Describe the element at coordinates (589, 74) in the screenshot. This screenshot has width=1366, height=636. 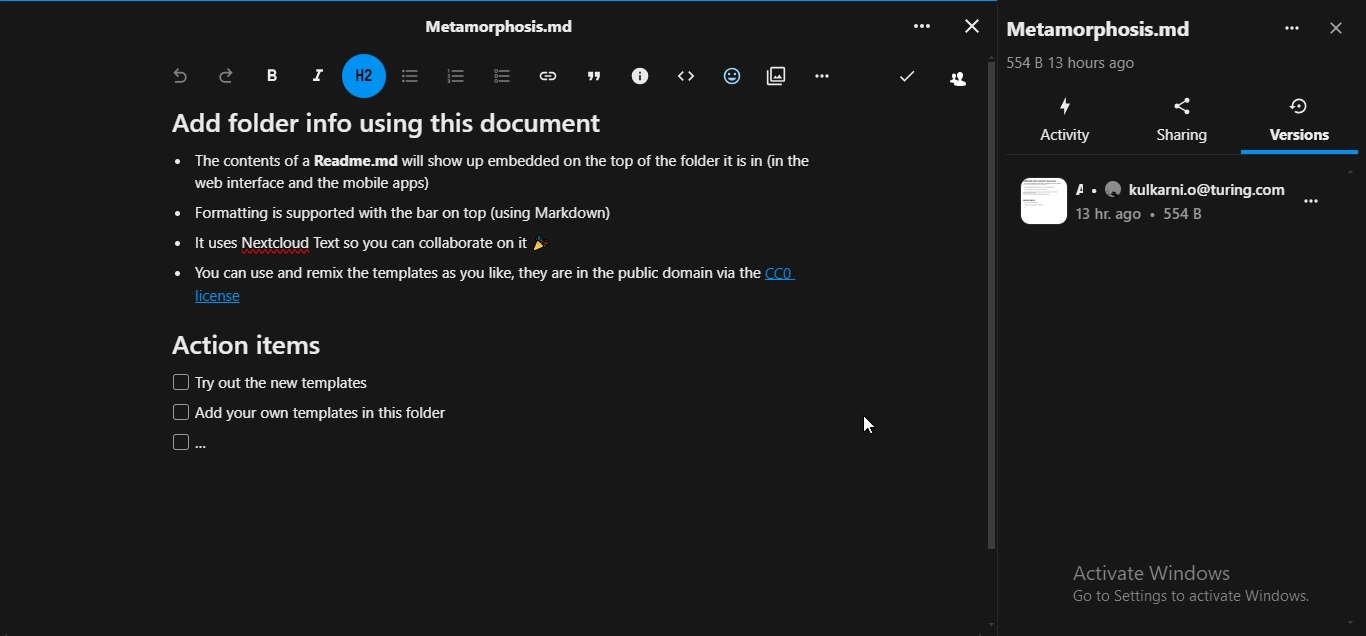
I see `blockquote` at that location.